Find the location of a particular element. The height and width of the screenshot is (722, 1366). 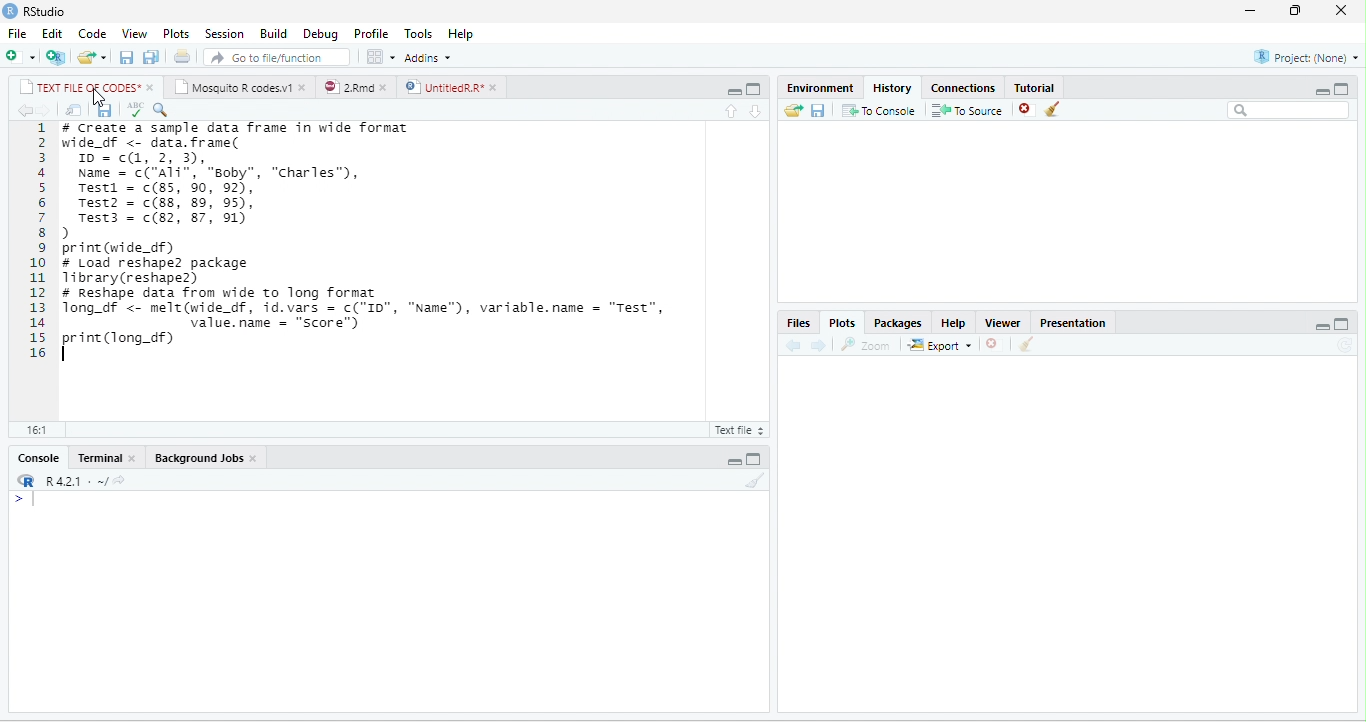

Zoom is located at coordinates (866, 345).